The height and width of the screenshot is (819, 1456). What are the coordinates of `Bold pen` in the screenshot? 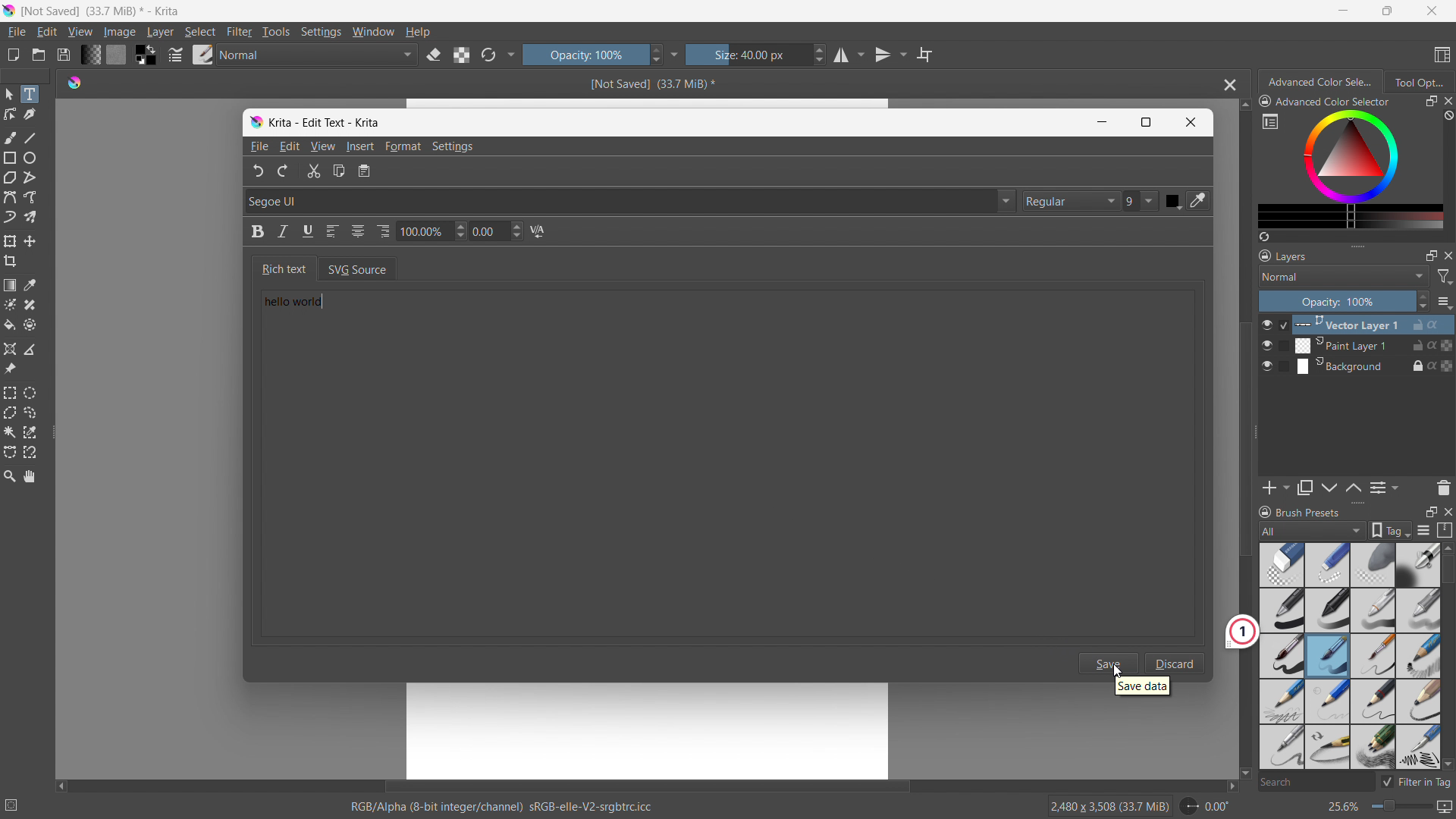 It's located at (1417, 565).